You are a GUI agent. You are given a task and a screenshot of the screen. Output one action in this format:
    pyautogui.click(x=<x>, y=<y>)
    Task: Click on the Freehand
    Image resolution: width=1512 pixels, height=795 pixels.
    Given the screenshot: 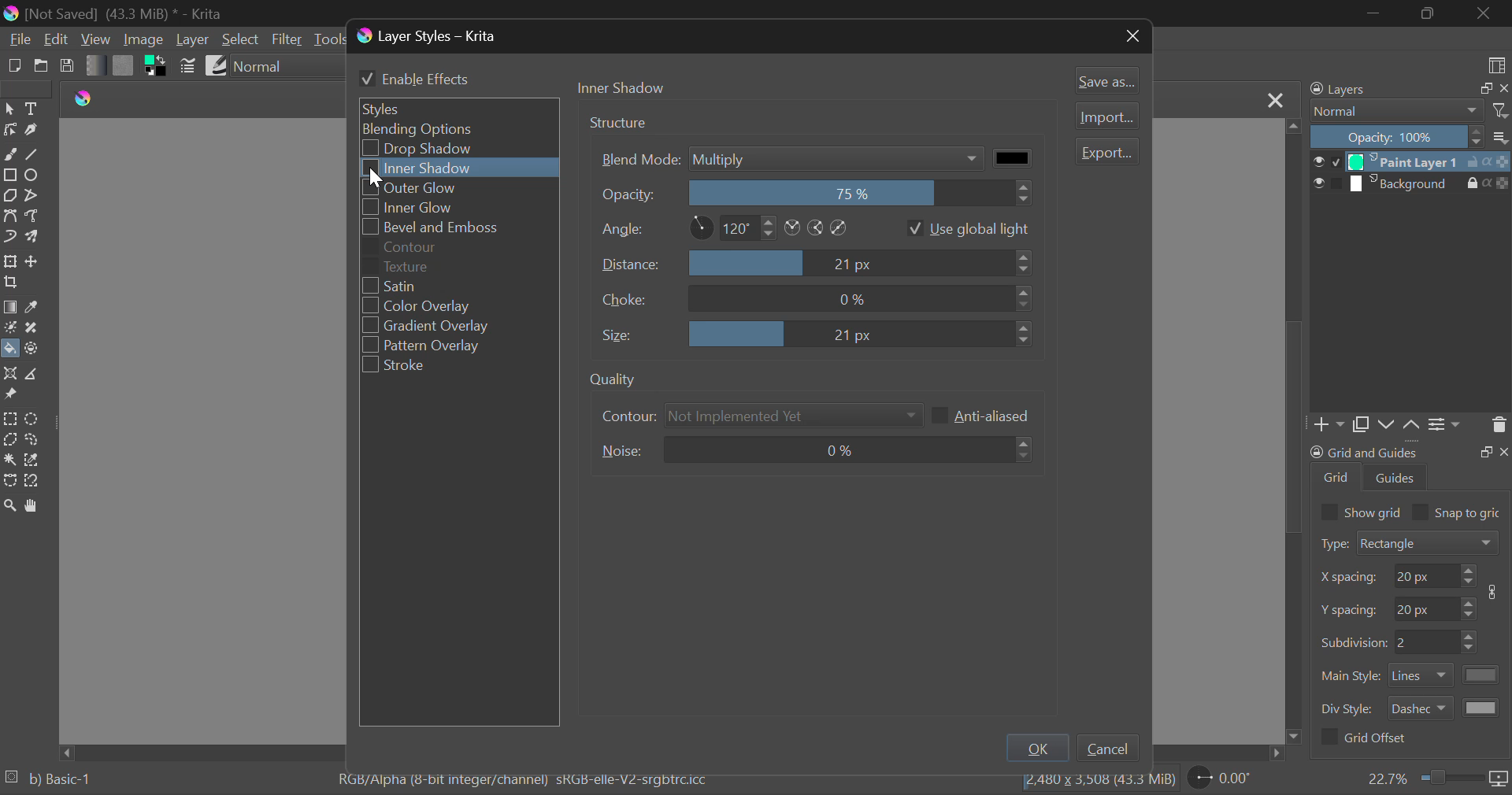 What is the action you would take?
    pyautogui.click(x=11, y=154)
    